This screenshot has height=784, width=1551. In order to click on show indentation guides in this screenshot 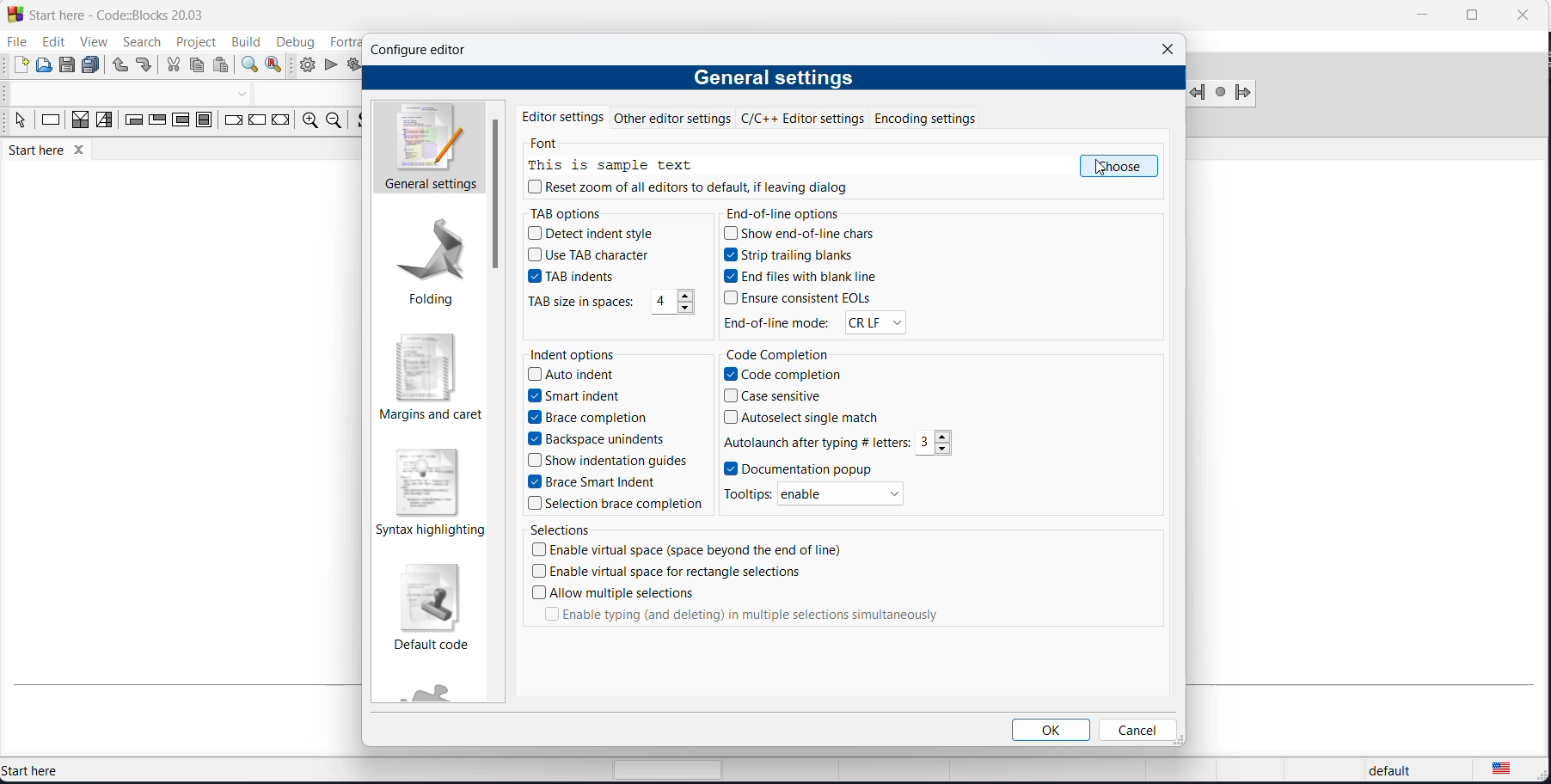, I will do `click(609, 462)`.